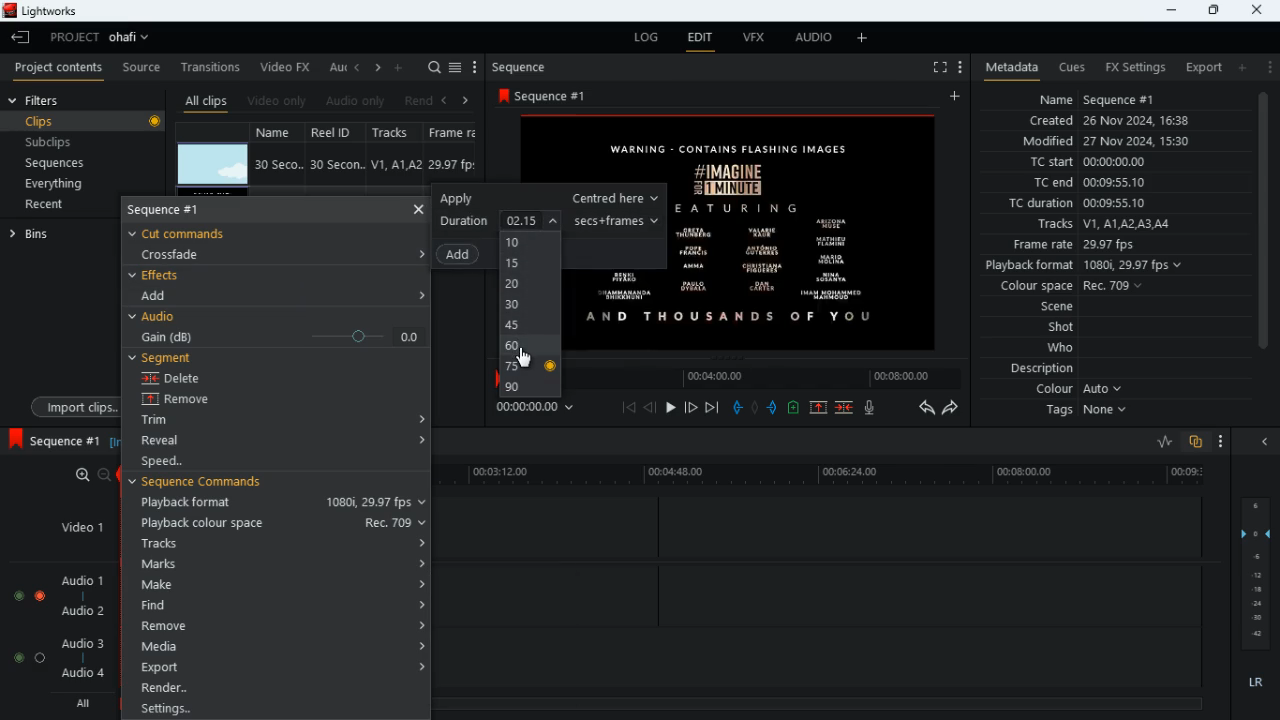  I want to click on V1, A1, A2, so click(394, 164).